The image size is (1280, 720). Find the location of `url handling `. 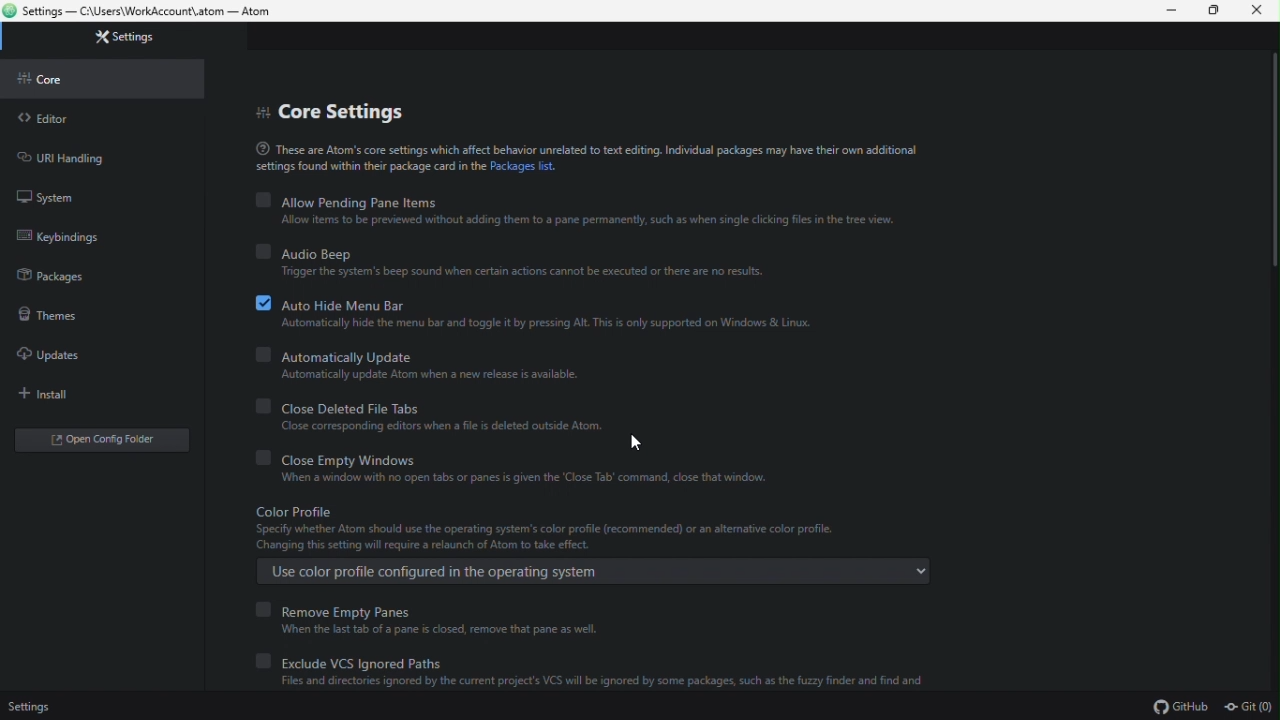

url handling  is located at coordinates (81, 156).